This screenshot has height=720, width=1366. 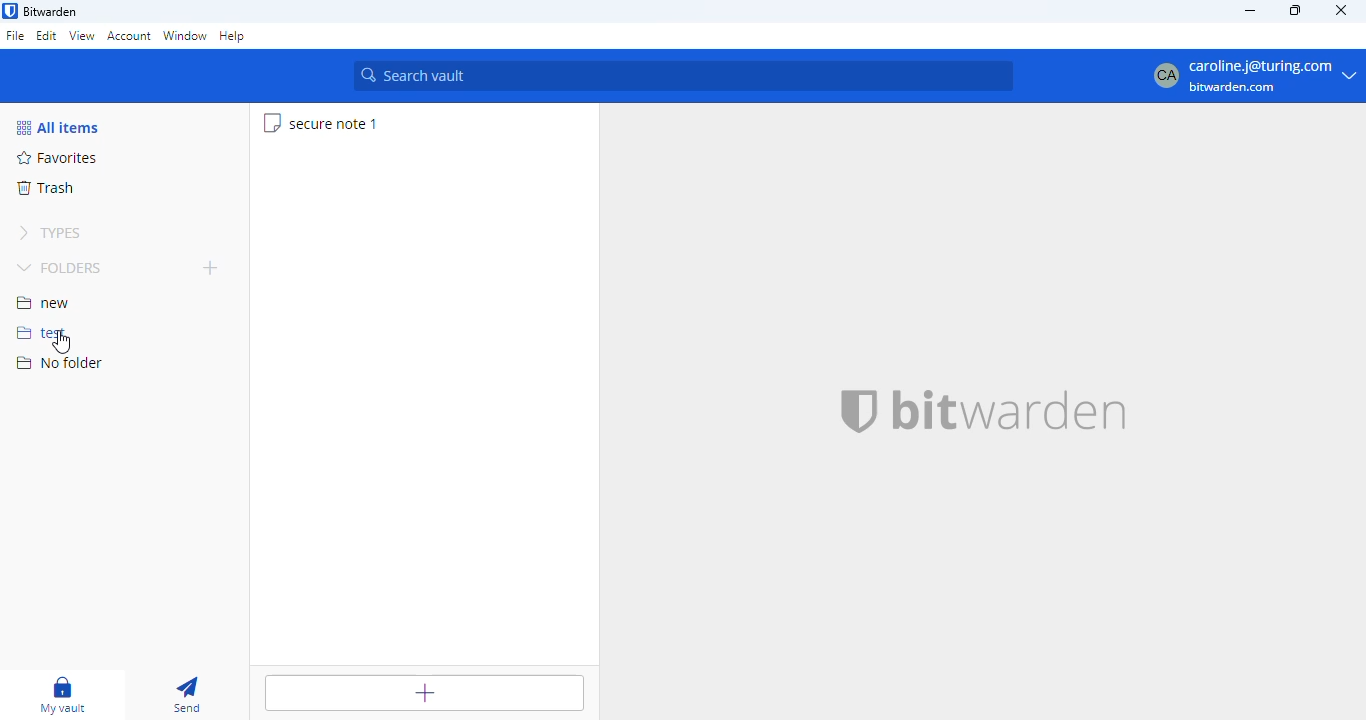 What do you see at coordinates (189, 695) in the screenshot?
I see `send` at bounding box center [189, 695].